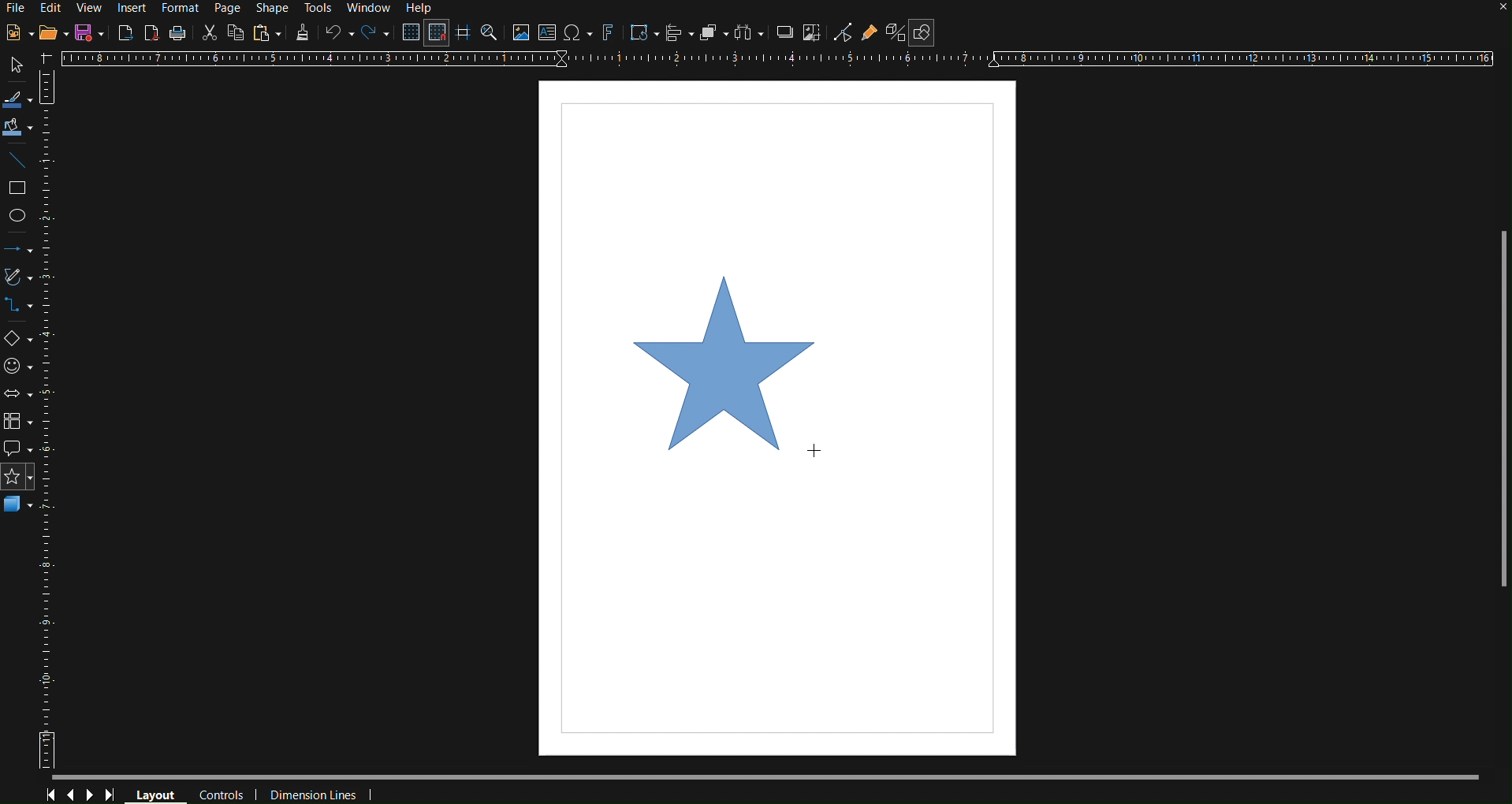 The width and height of the screenshot is (1512, 804). Describe the element at coordinates (871, 33) in the screenshot. I see `Show Gluepoint Functions` at that location.